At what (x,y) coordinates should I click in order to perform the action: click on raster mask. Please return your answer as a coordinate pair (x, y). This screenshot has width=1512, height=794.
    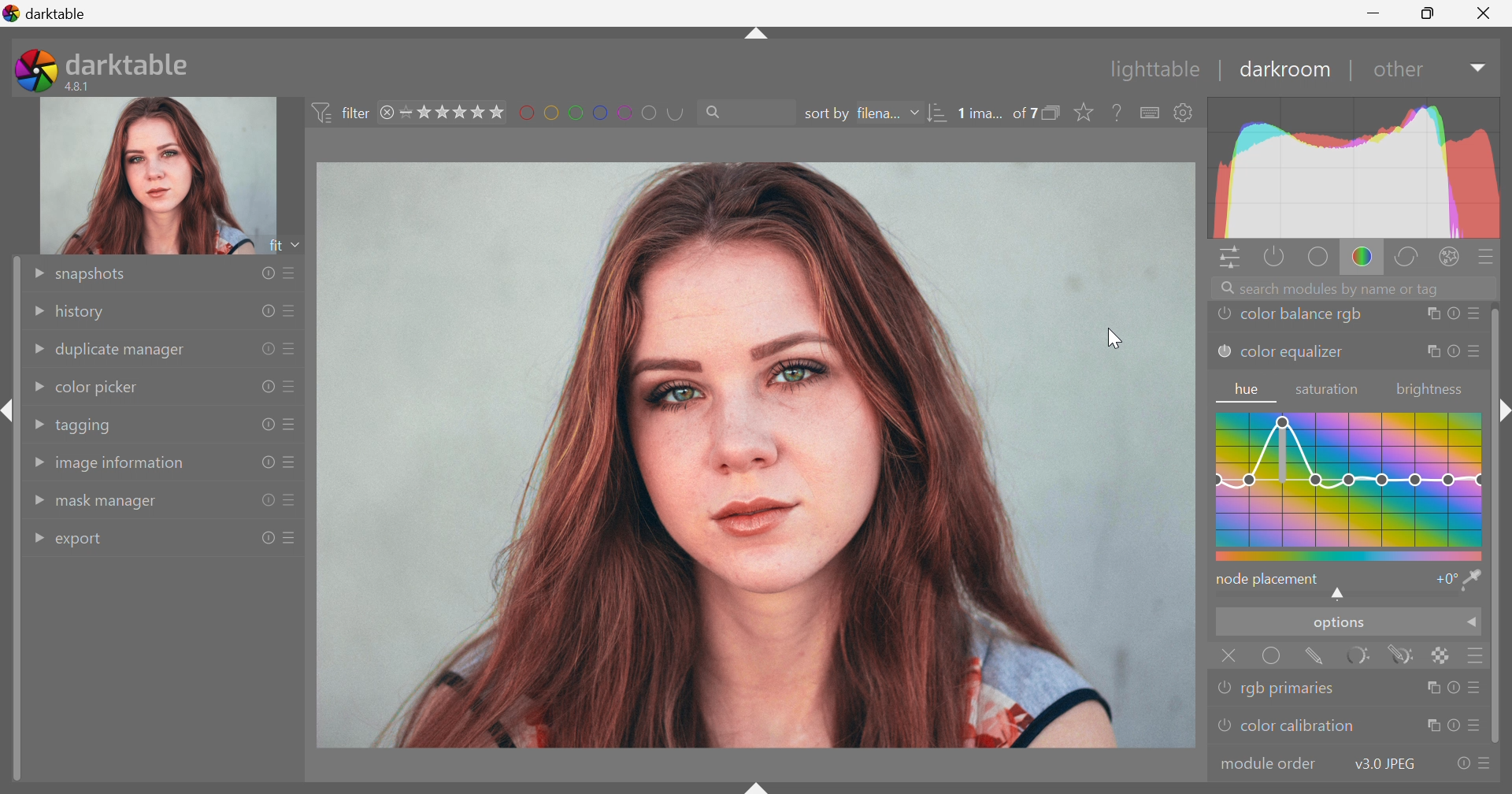
    Looking at the image, I should click on (1443, 655).